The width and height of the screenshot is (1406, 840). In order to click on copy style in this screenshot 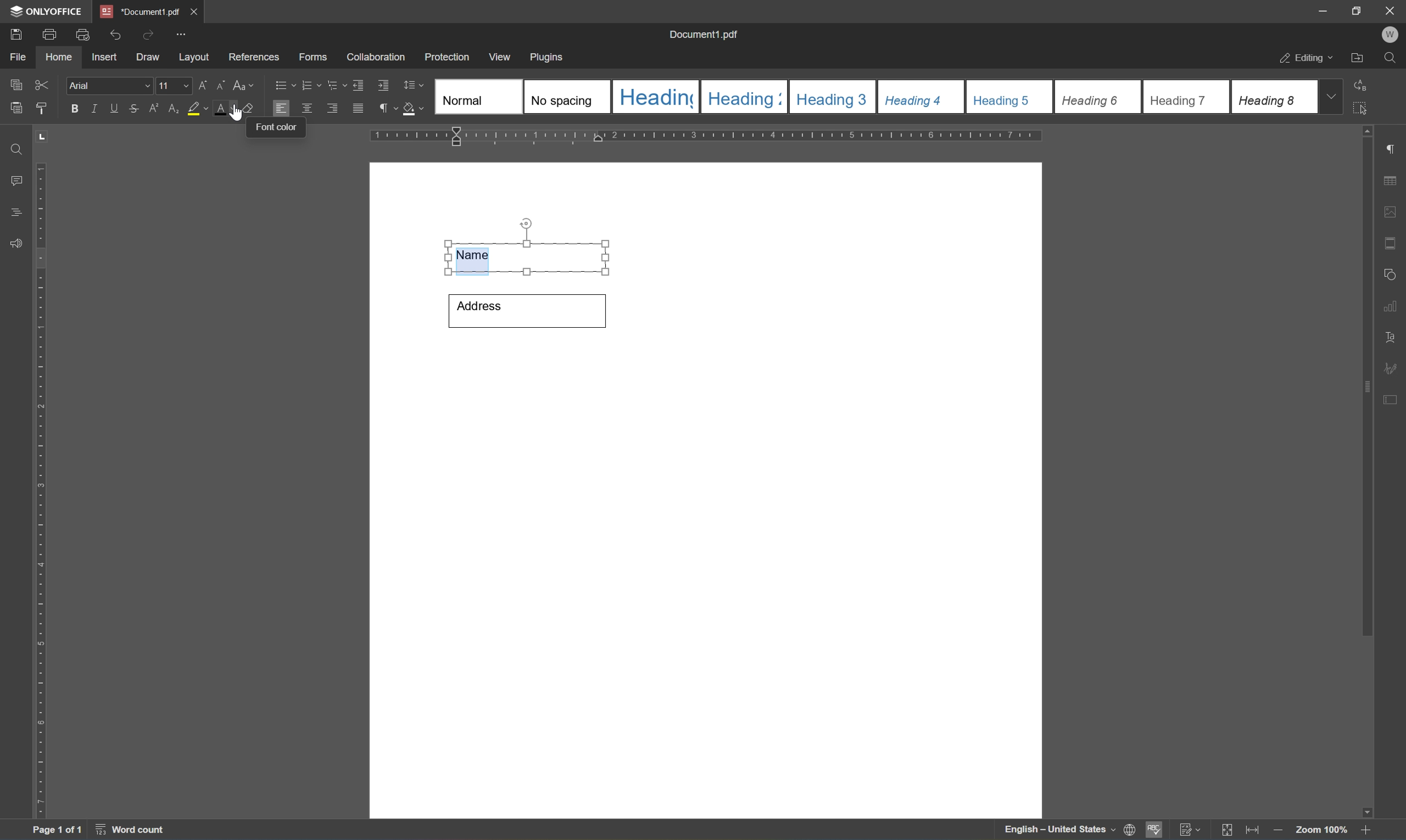, I will do `click(41, 108)`.